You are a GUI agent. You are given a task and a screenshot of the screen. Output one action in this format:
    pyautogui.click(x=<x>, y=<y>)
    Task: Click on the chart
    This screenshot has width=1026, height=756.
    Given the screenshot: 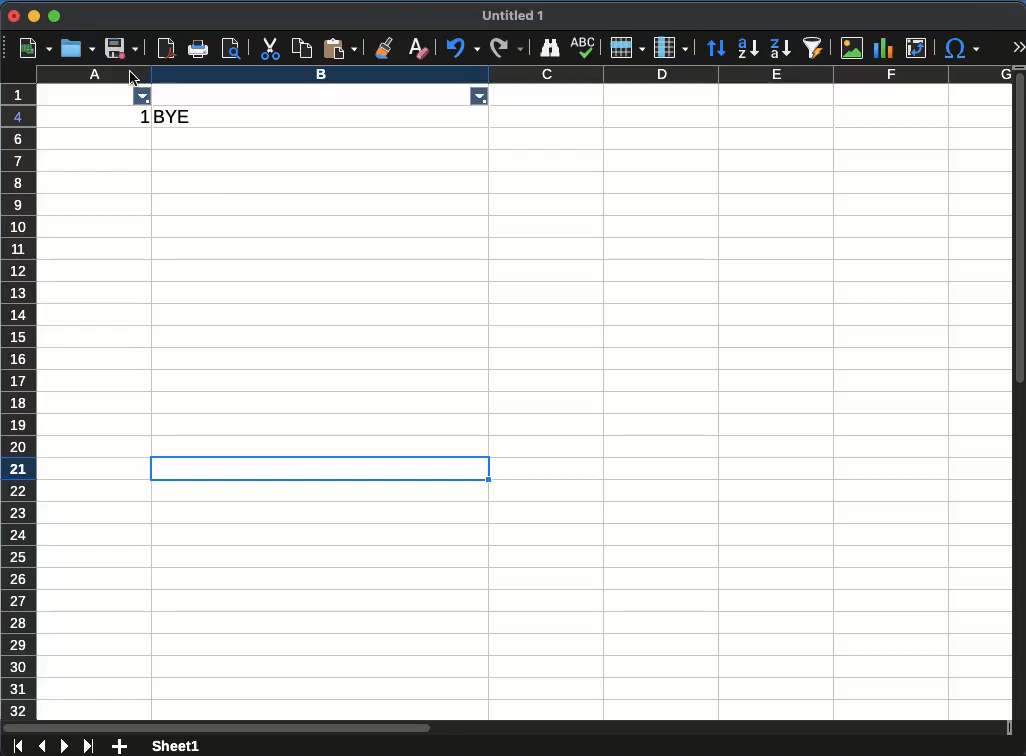 What is the action you would take?
    pyautogui.click(x=851, y=47)
    